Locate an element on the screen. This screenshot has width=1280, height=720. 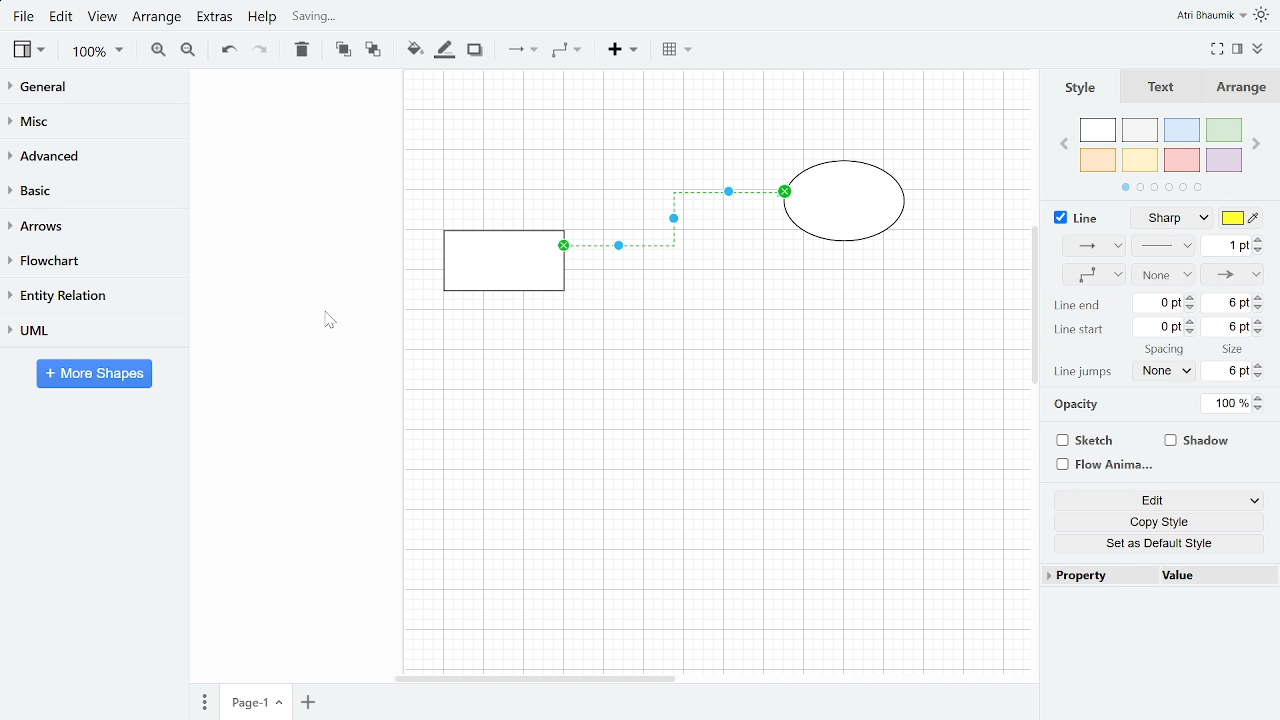
square shape is located at coordinates (502, 260).